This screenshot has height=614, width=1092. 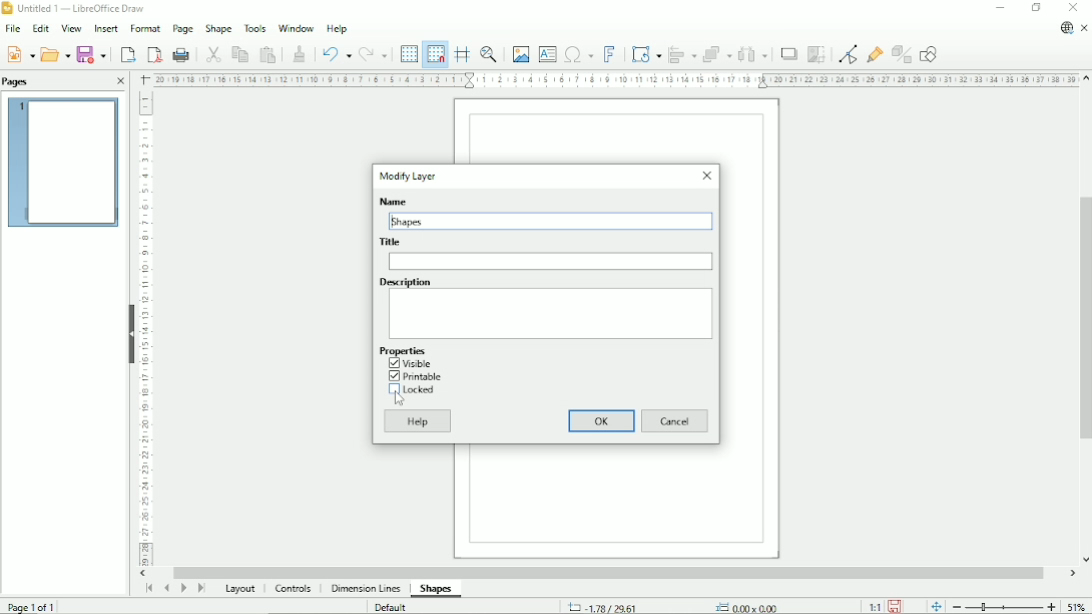 What do you see at coordinates (367, 589) in the screenshot?
I see `Dimension lines` at bounding box center [367, 589].